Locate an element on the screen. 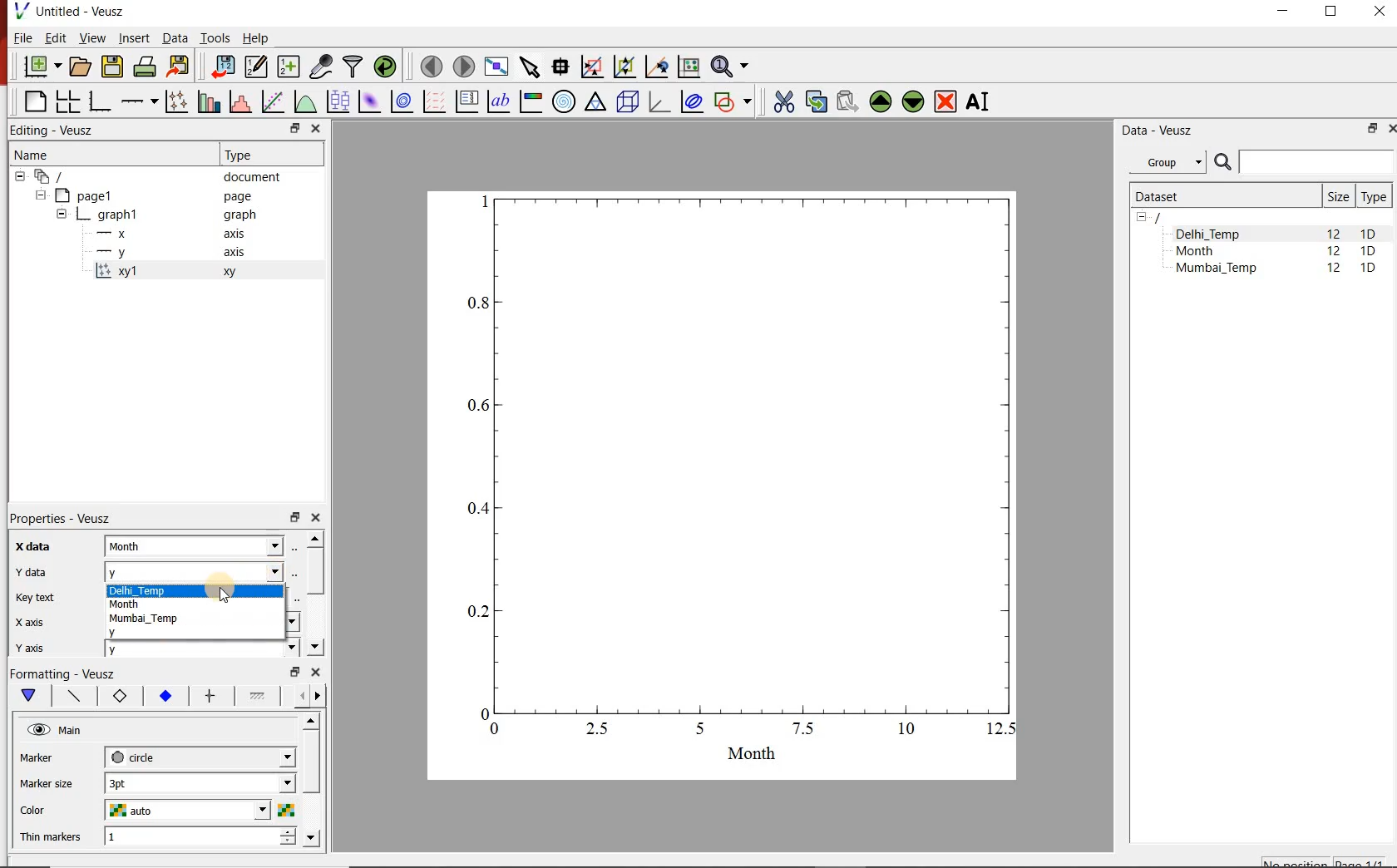 The height and width of the screenshot is (868, 1397). View is located at coordinates (91, 37).